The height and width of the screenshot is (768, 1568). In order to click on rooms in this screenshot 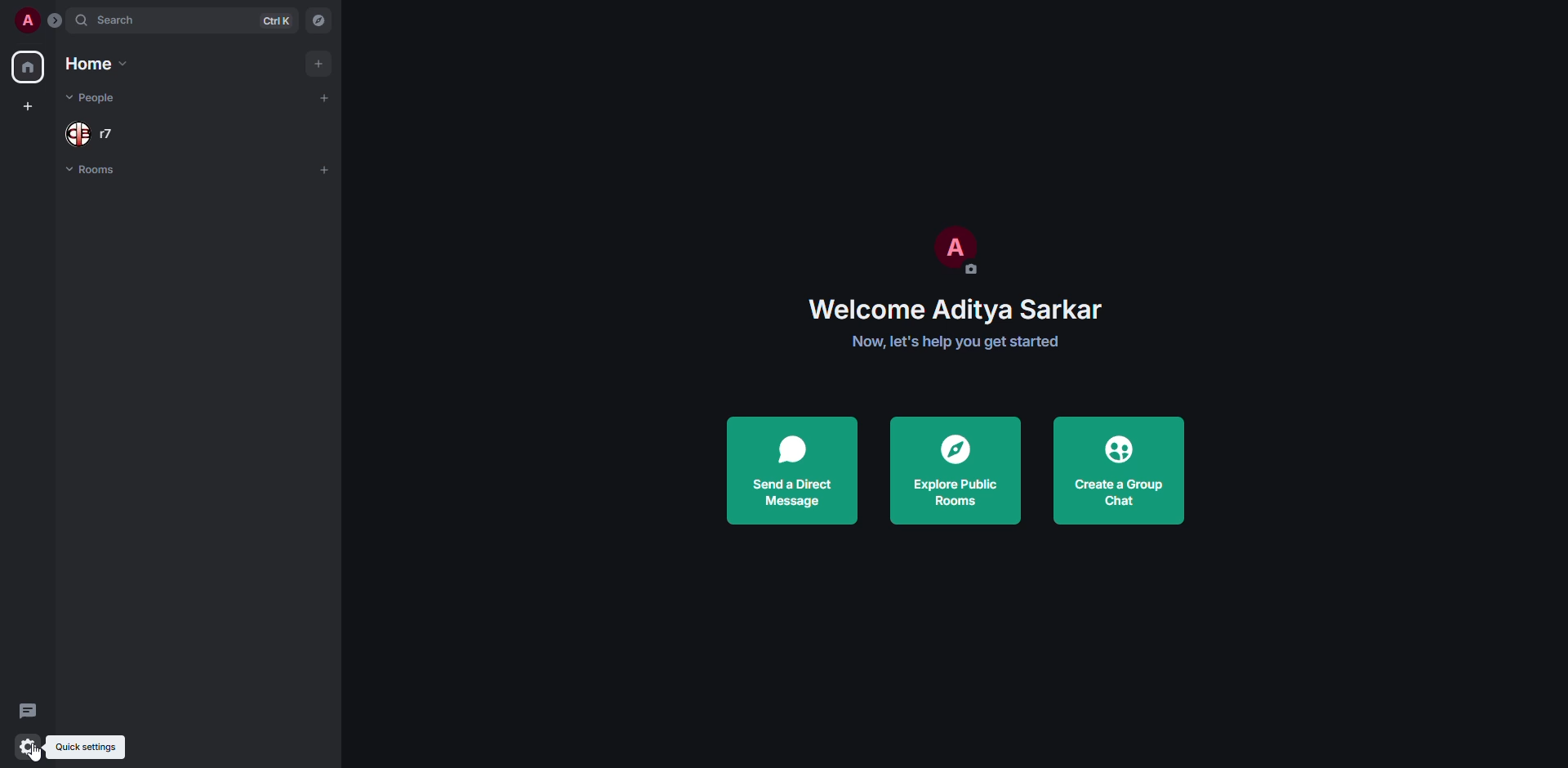, I will do `click(91, 171)`.